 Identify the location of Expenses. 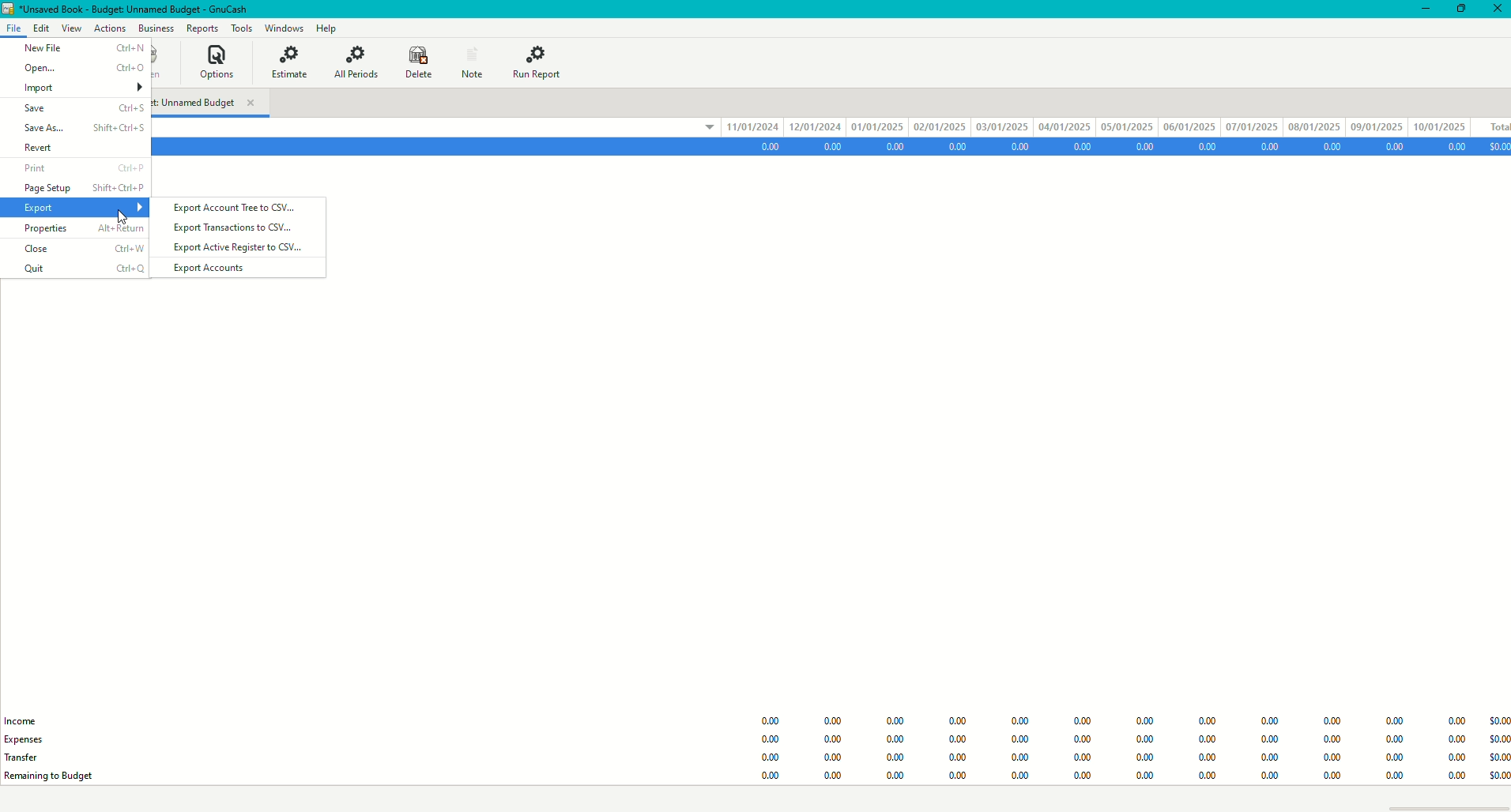
(34, 740).